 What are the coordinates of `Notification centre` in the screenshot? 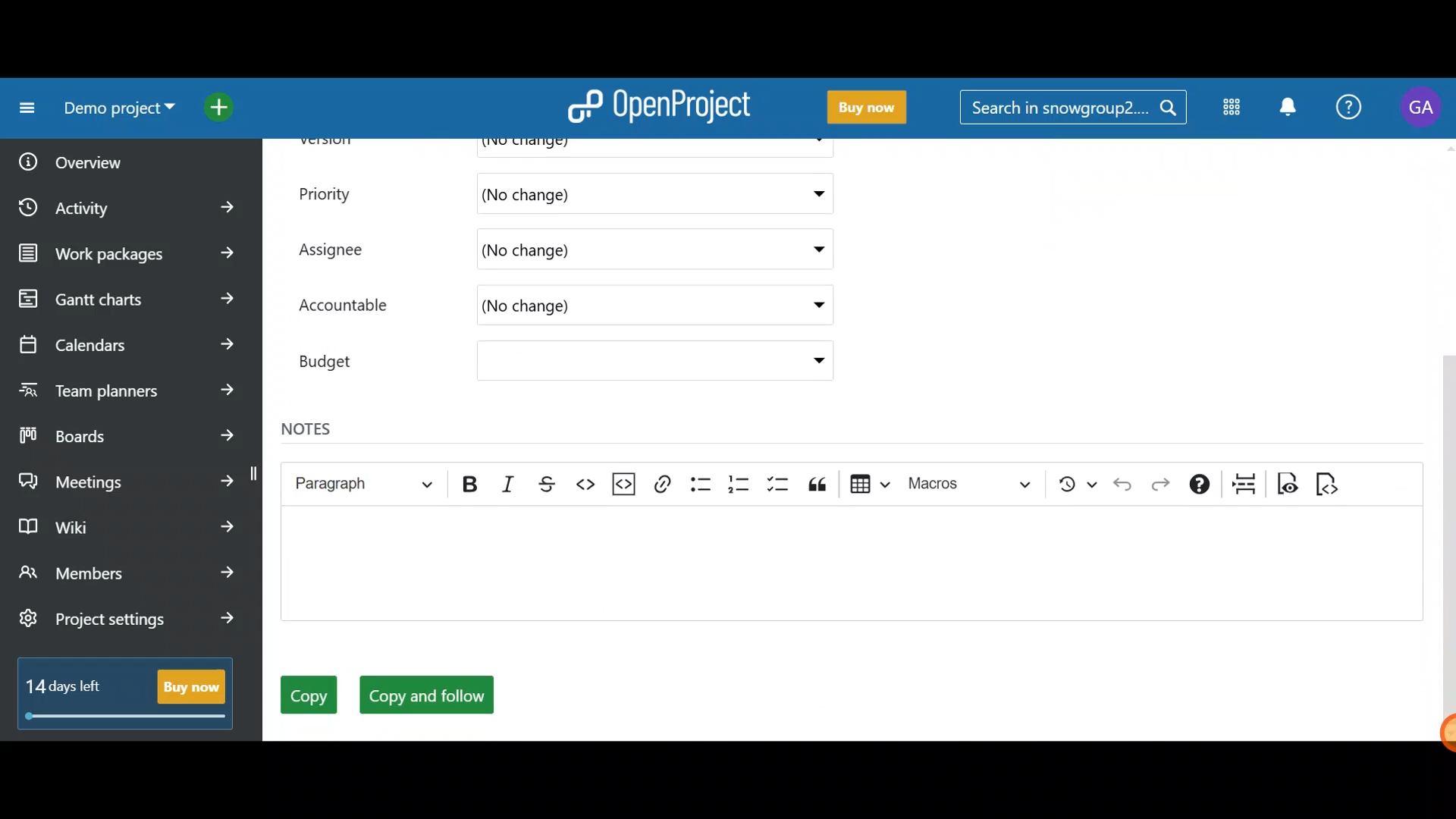 It's located at (1287, 108).